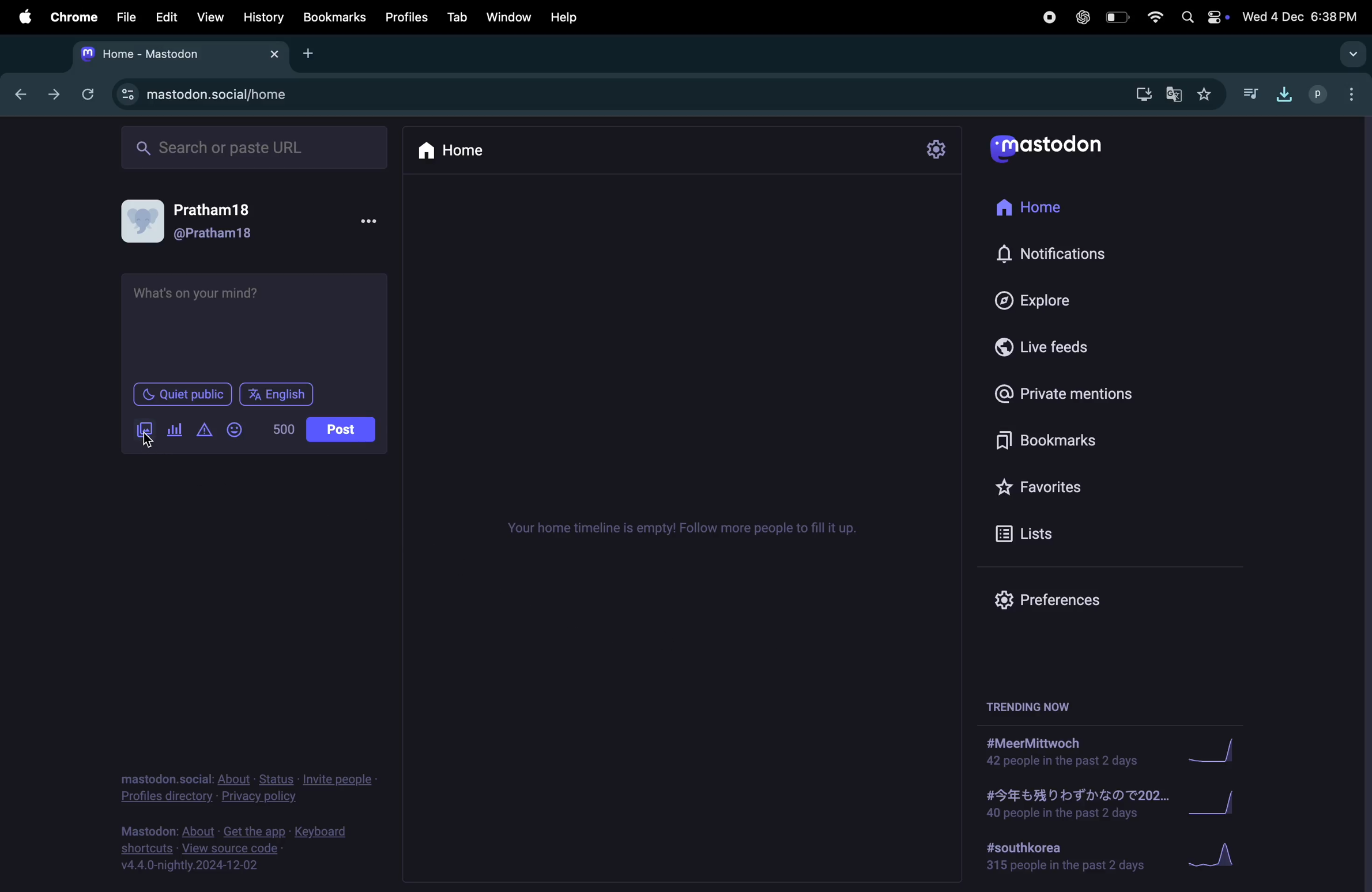  I want to click on music, so click(1252, 95).